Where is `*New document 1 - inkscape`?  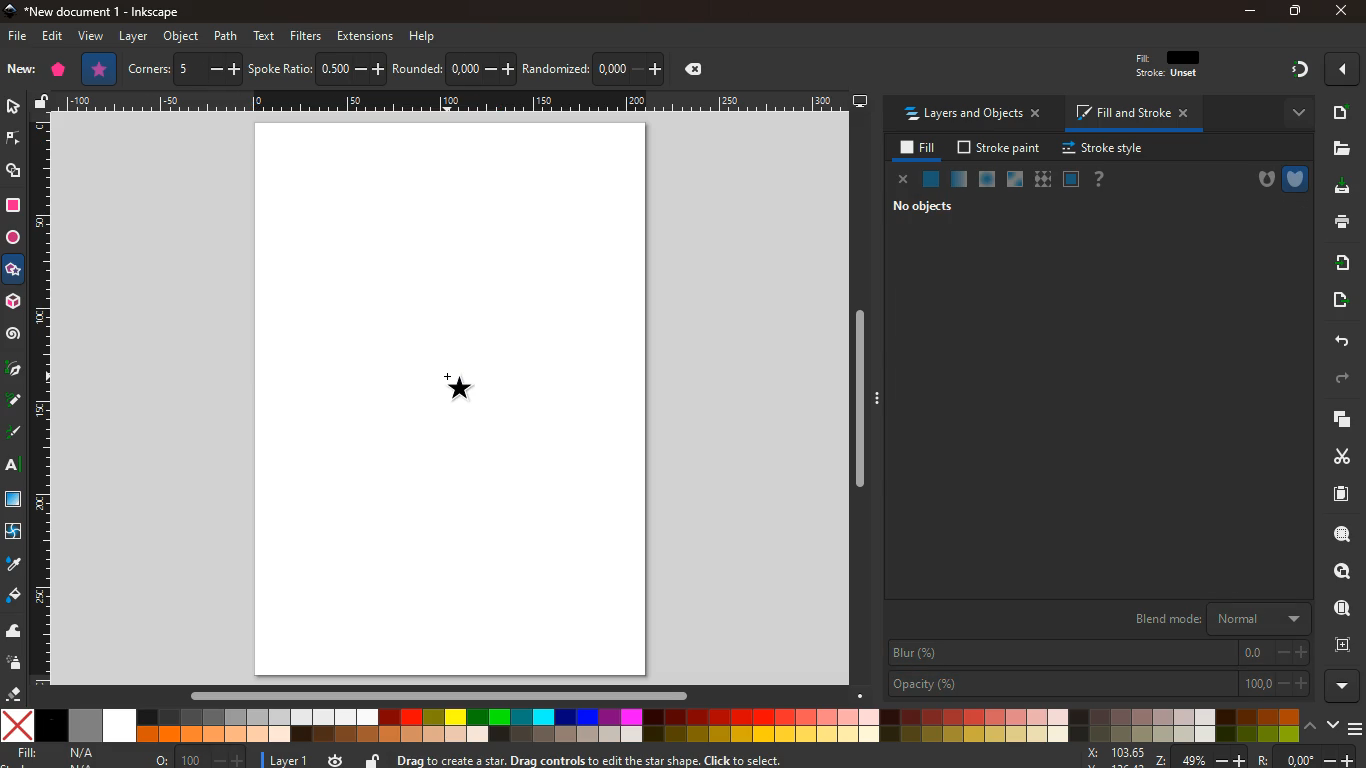 *New document 1 - inkscape is located at coordinates (102, 12).